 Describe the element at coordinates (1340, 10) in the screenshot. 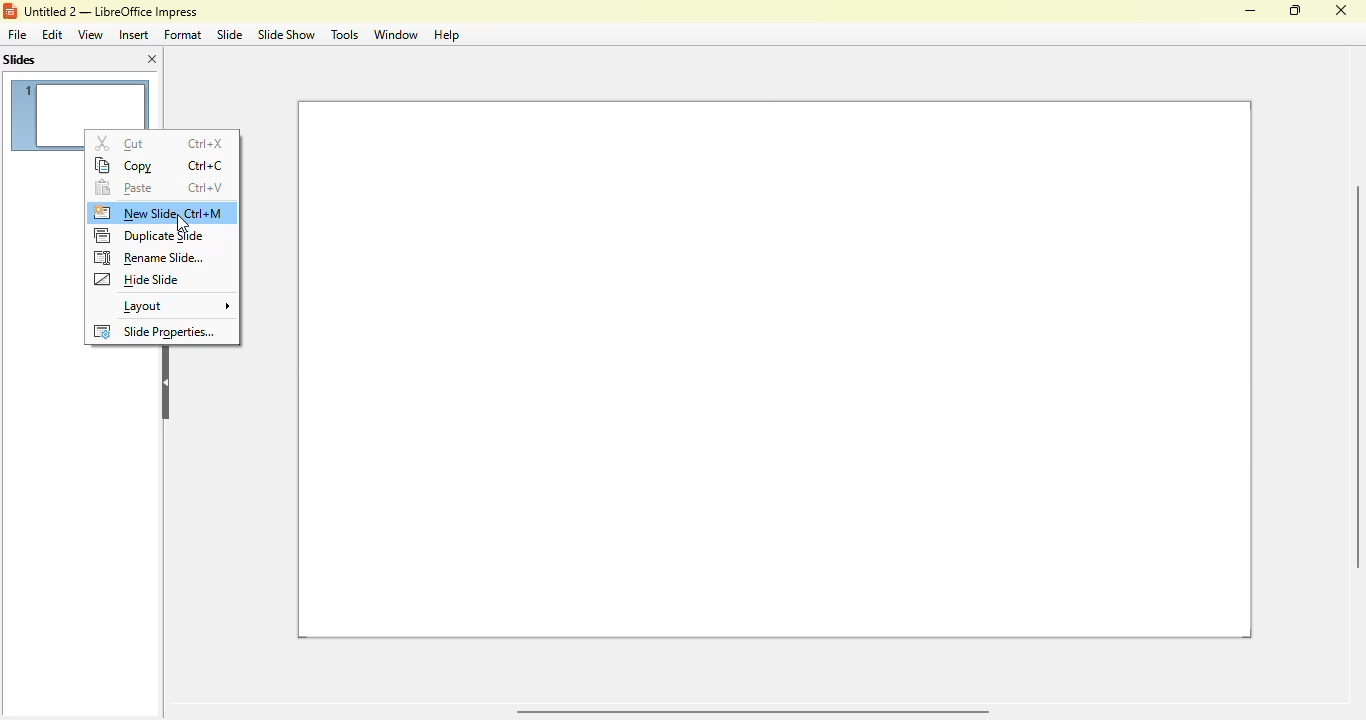

I see `close` at that location.